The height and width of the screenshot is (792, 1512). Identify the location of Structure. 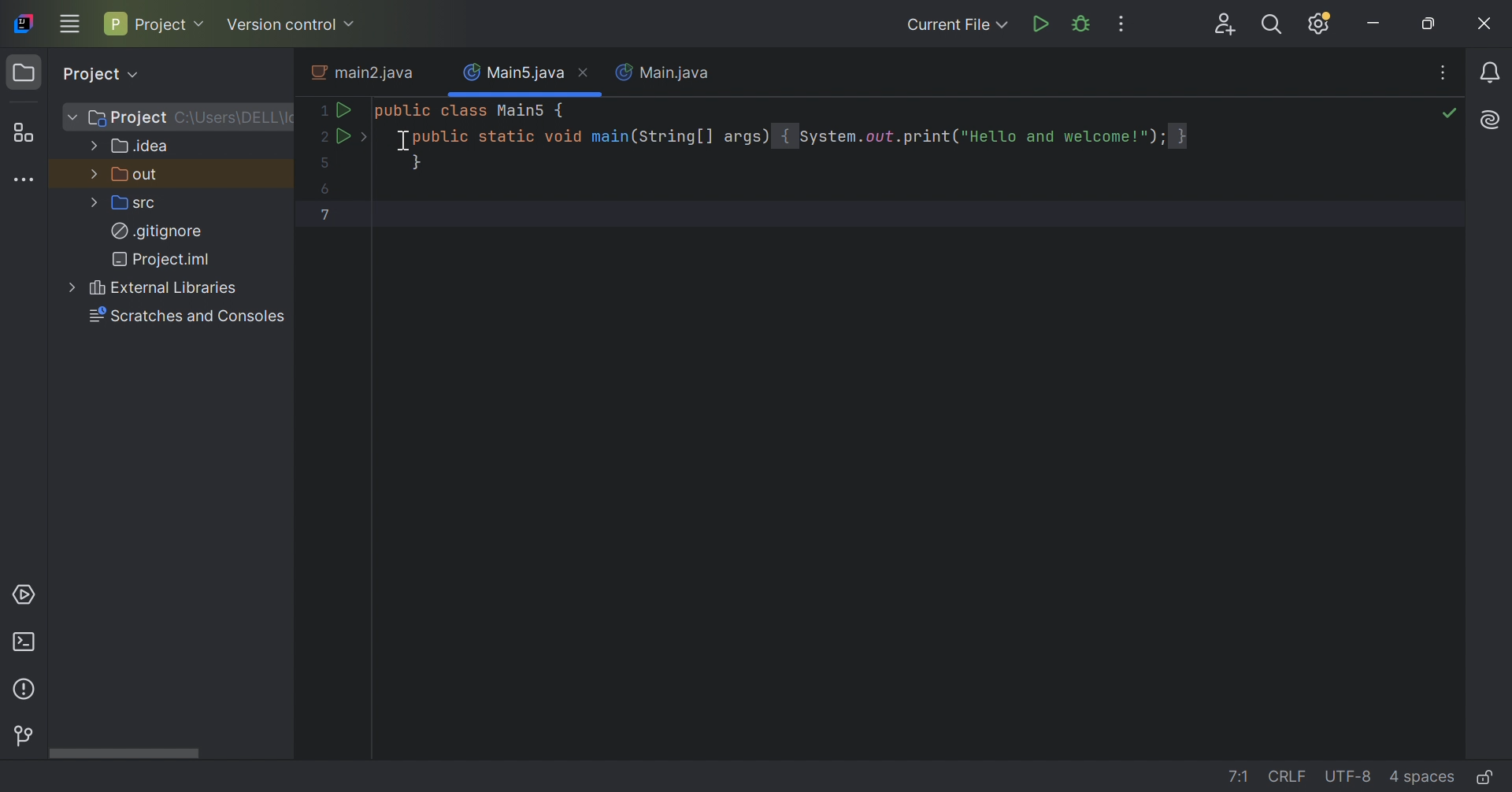
(22, 132).